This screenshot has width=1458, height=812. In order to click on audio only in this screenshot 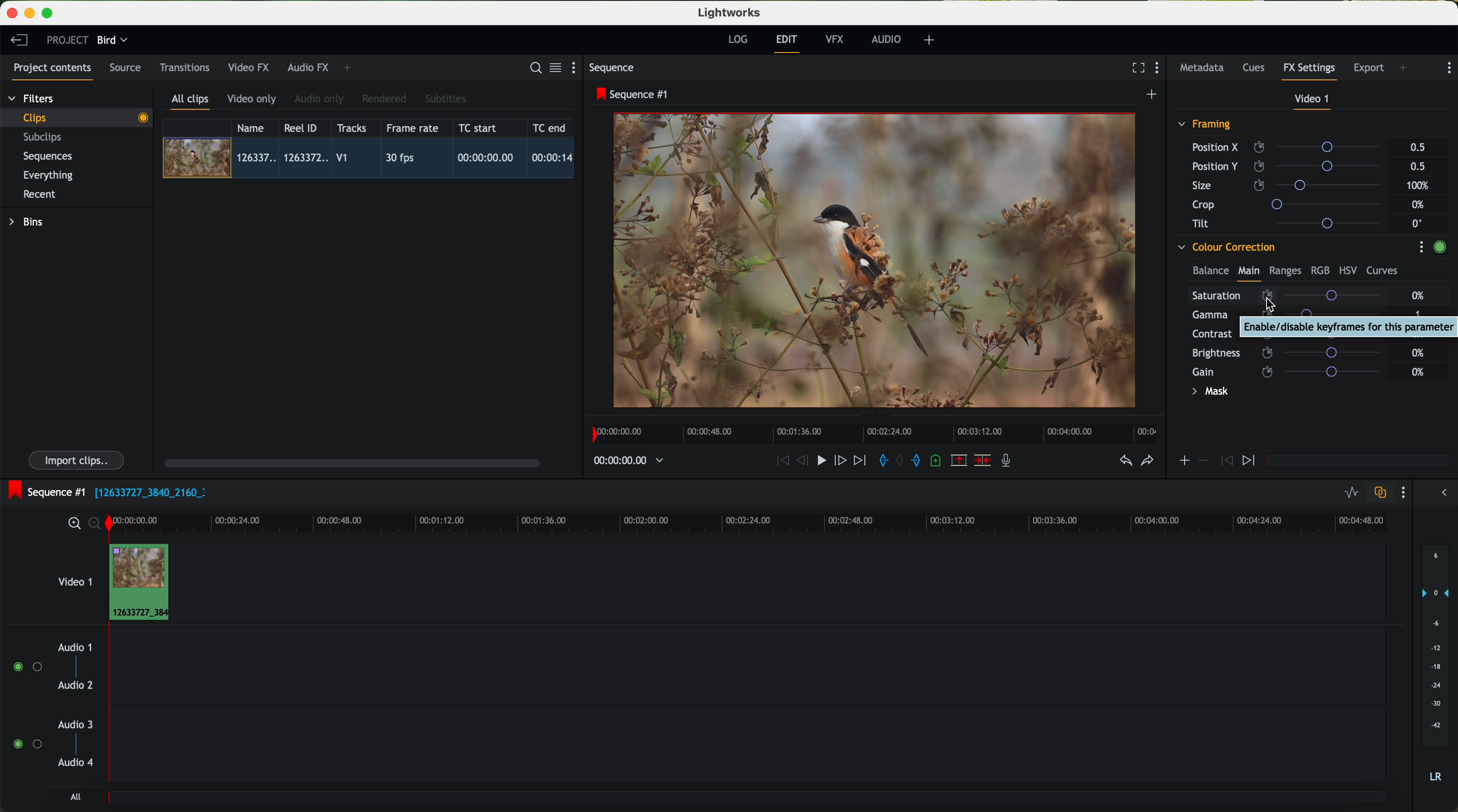, I will do `click(320, 99)`.